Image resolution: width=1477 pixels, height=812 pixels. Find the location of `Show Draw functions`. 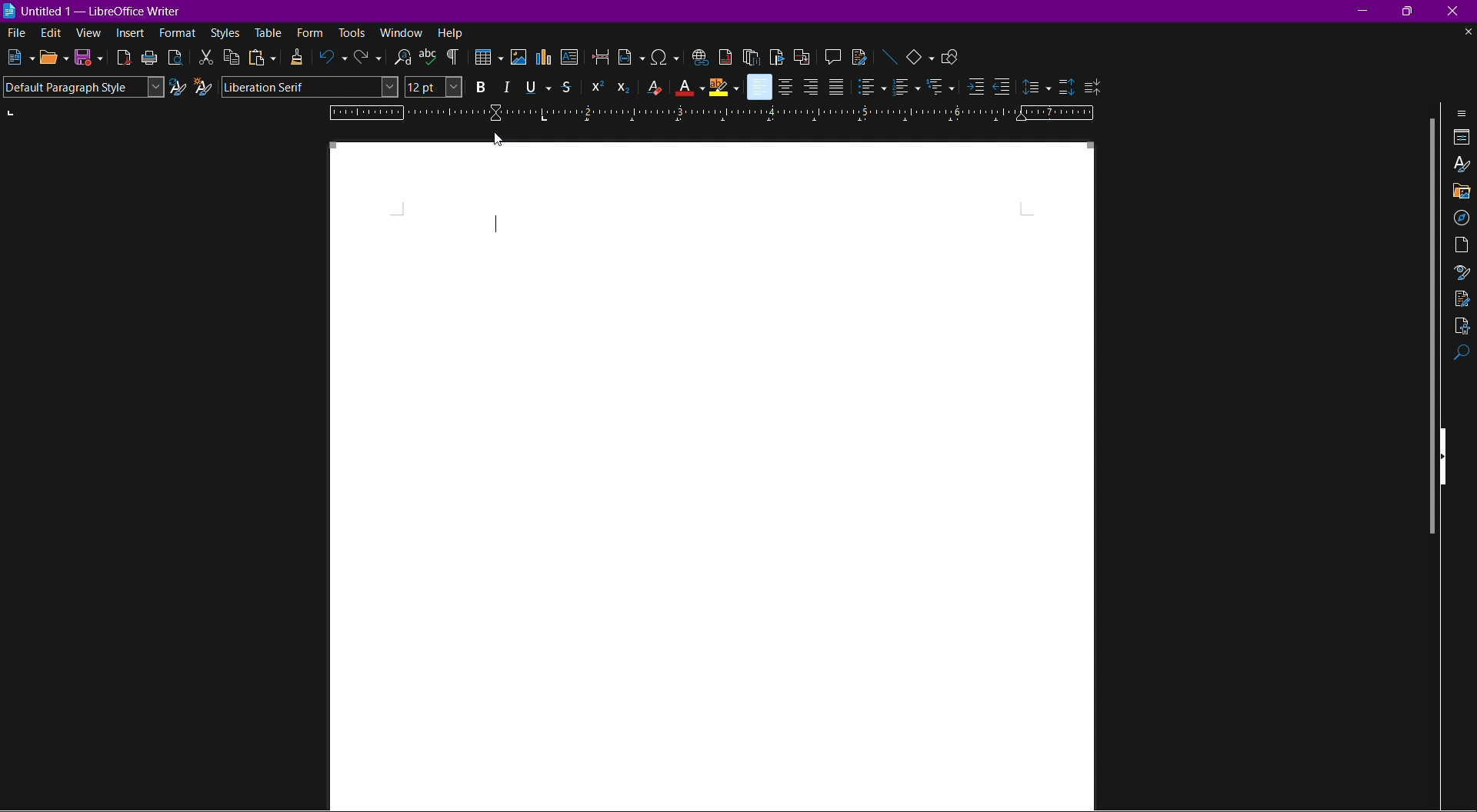

Show Draw functions is located at coordinates (954, 55).